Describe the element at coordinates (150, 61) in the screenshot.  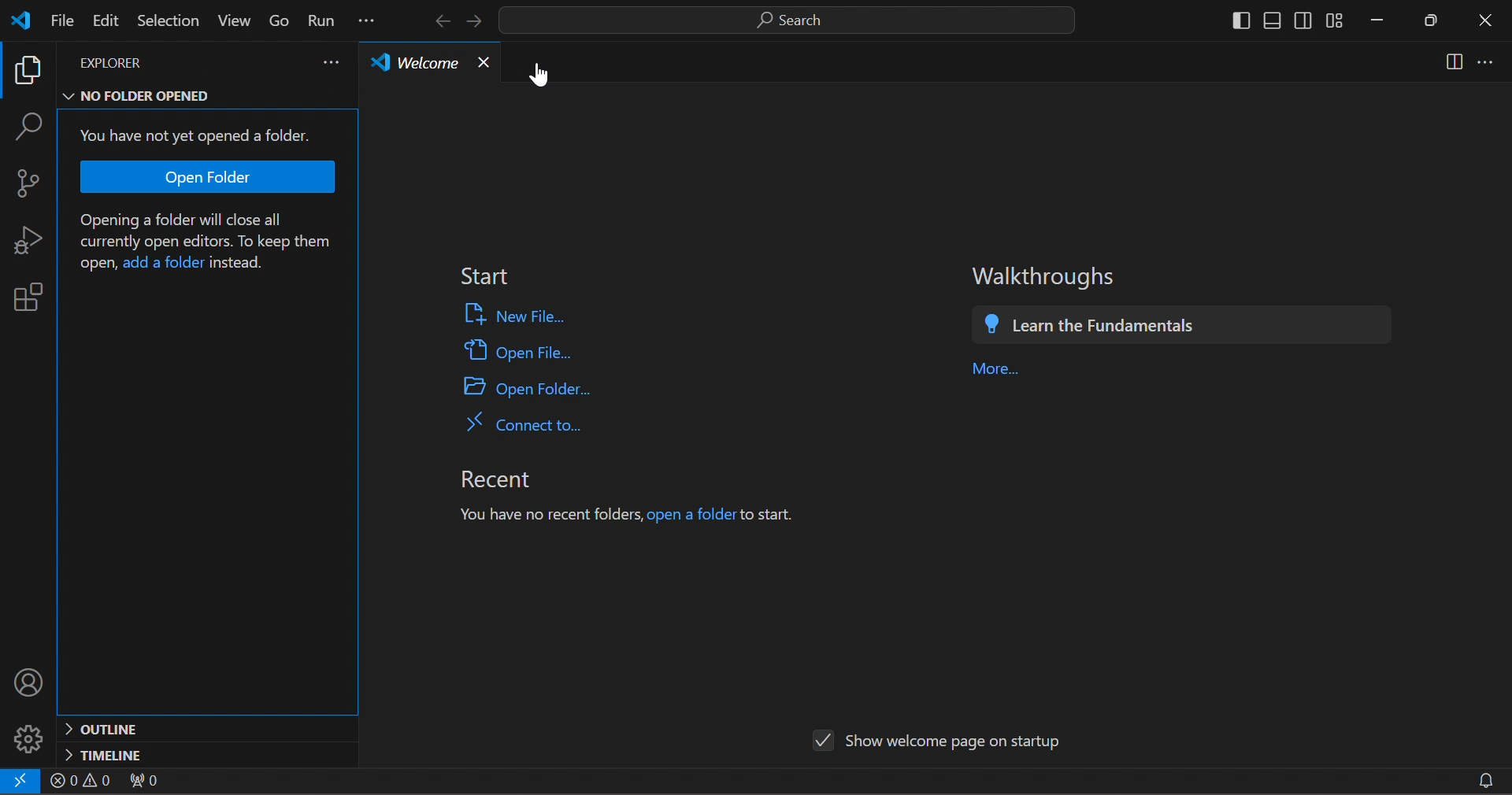
I see `explorer` at that location.